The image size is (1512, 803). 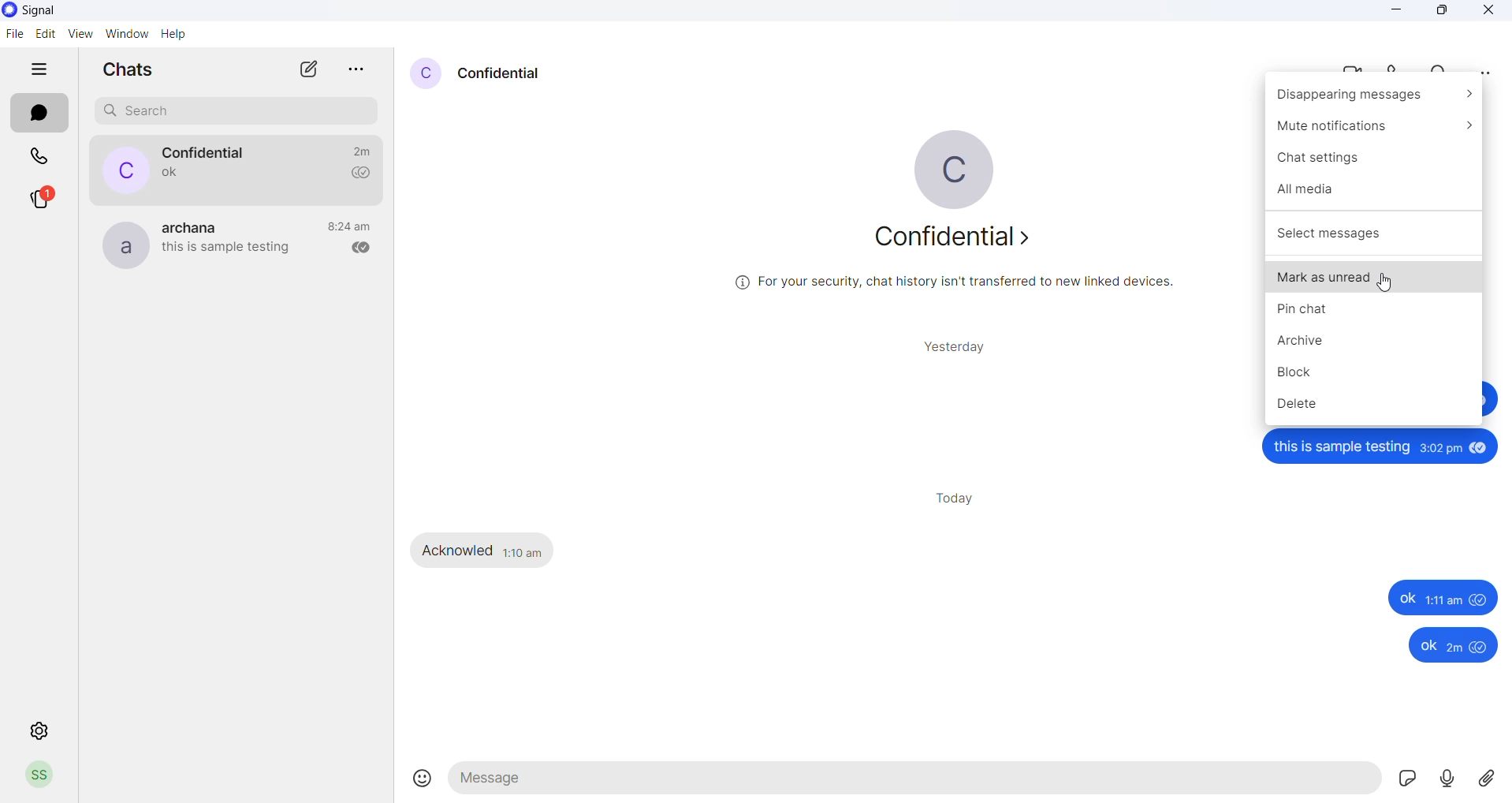 I want to click on edit, so click(x=44, y=32).